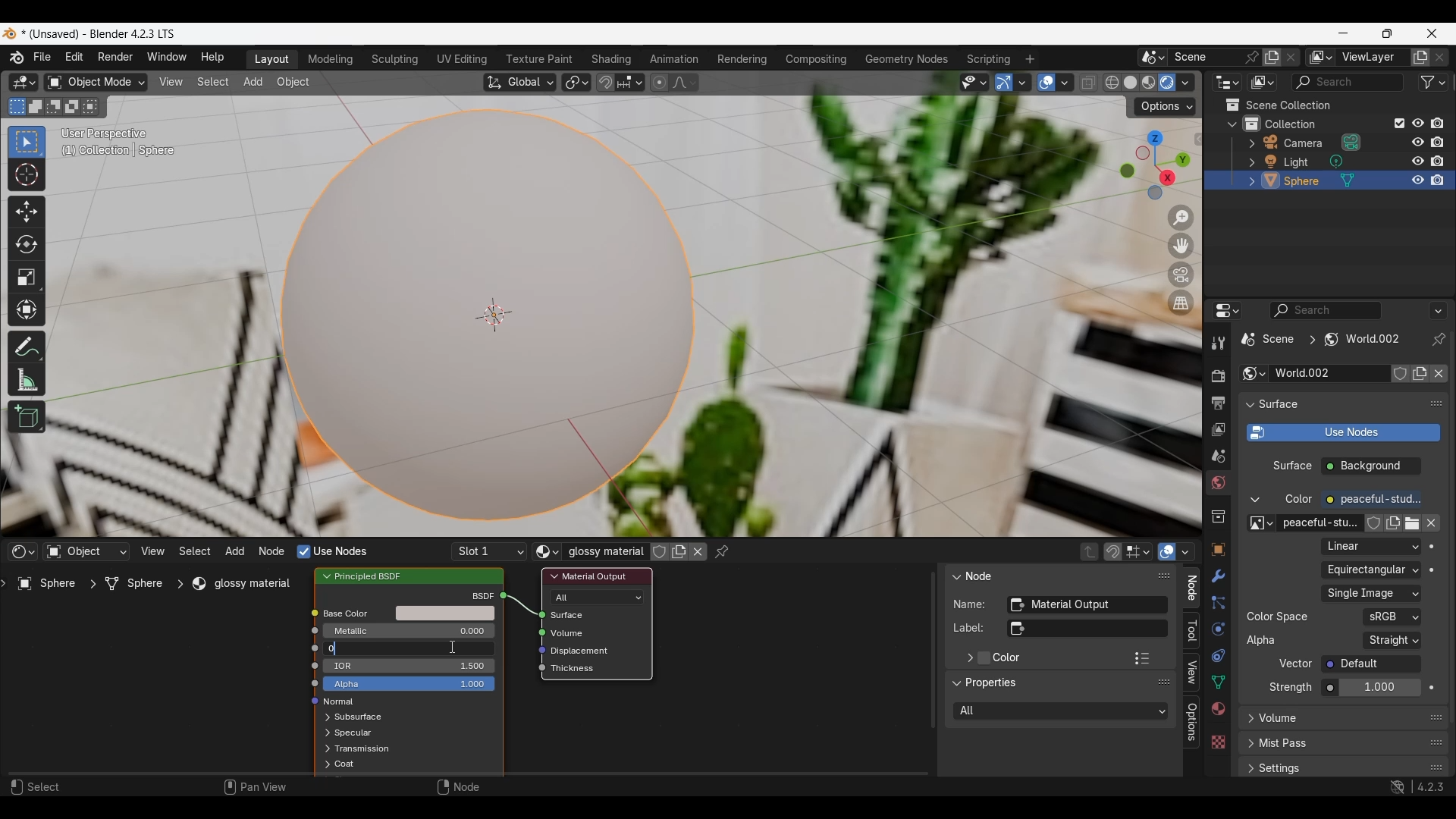 The width and height of the screenshot is (1456, 819). I want to click on Amount of metallic base, so click(409, 631).